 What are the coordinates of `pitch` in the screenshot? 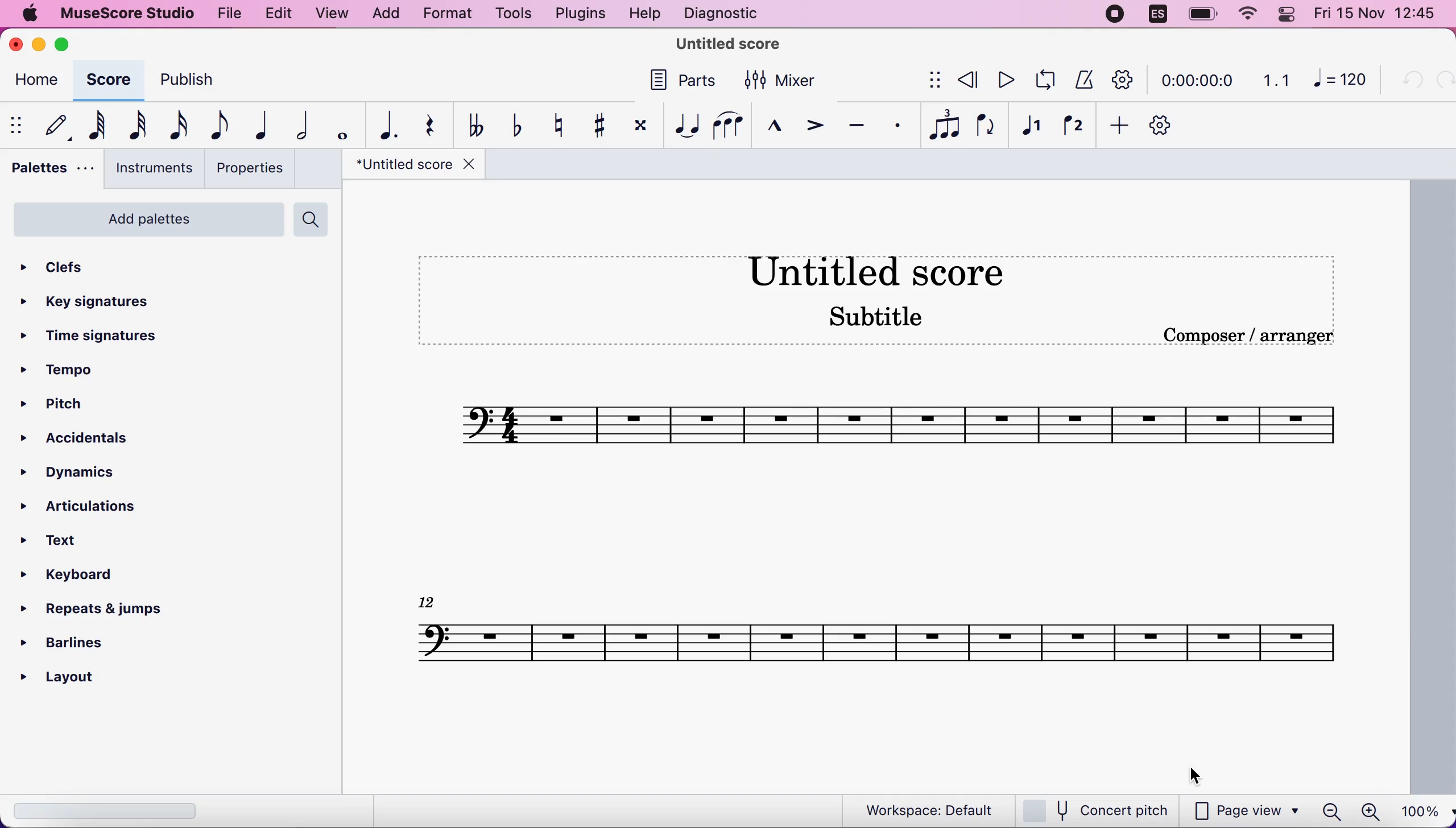 It's located at (59, 406).